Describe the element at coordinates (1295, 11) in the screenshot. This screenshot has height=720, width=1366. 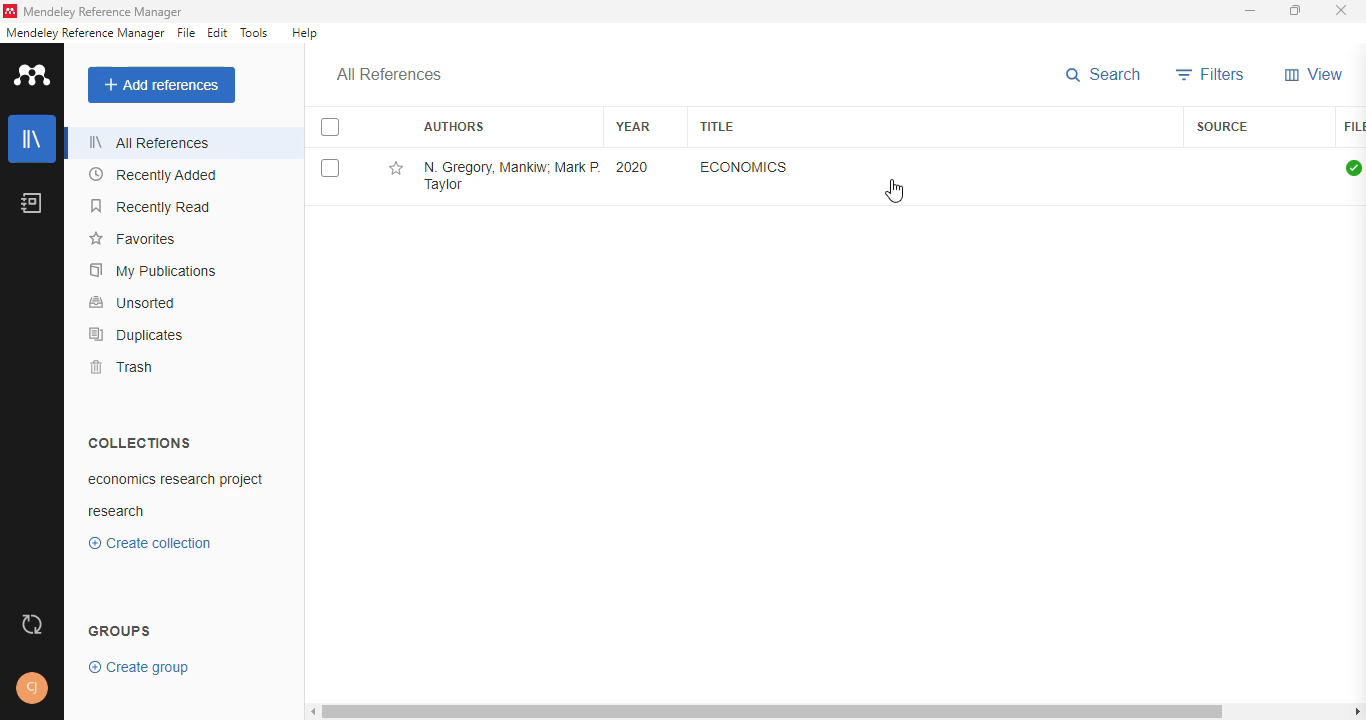
I see `maximize` at that location.